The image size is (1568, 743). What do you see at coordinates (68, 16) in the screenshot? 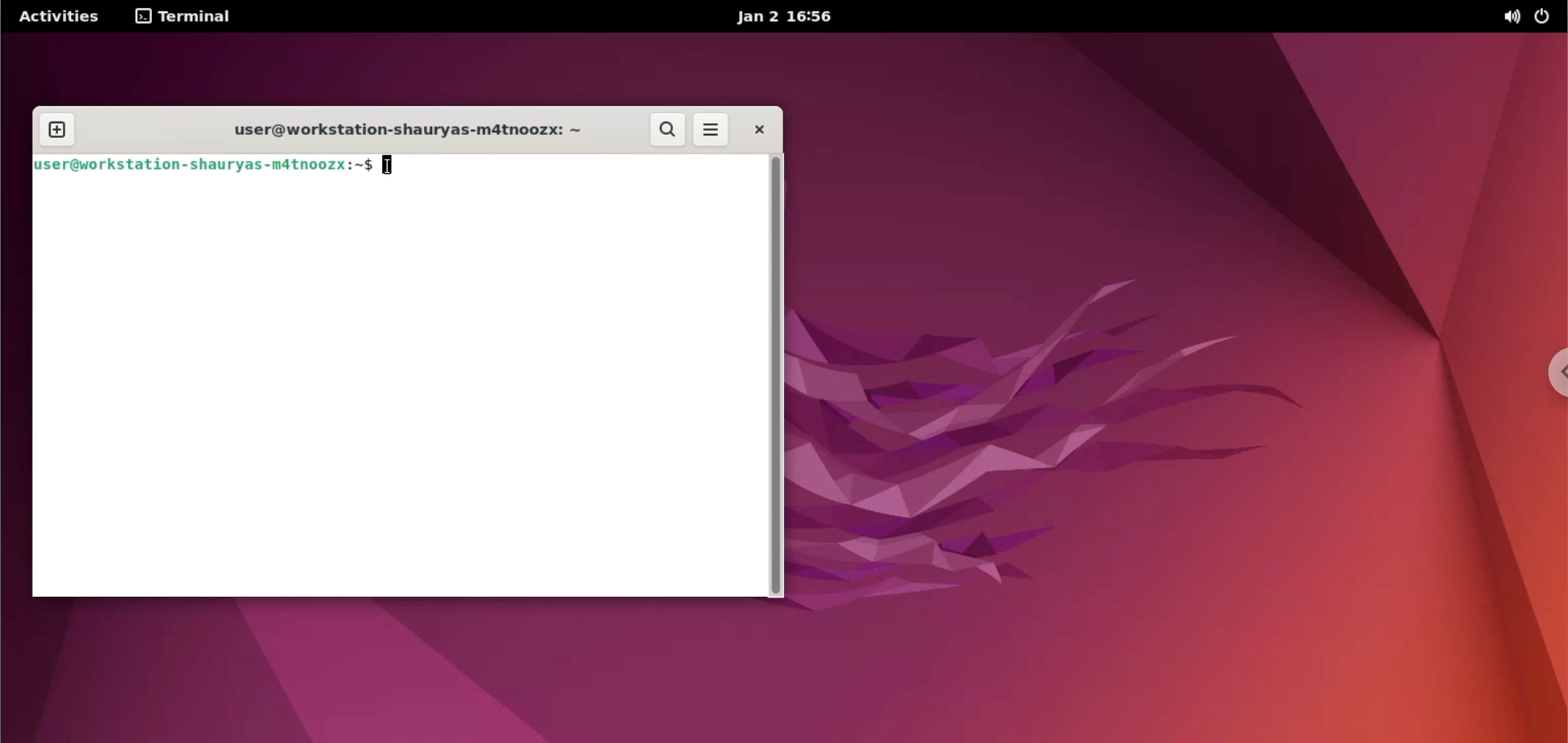
I see `Activities` at bounding box center [68, 16].